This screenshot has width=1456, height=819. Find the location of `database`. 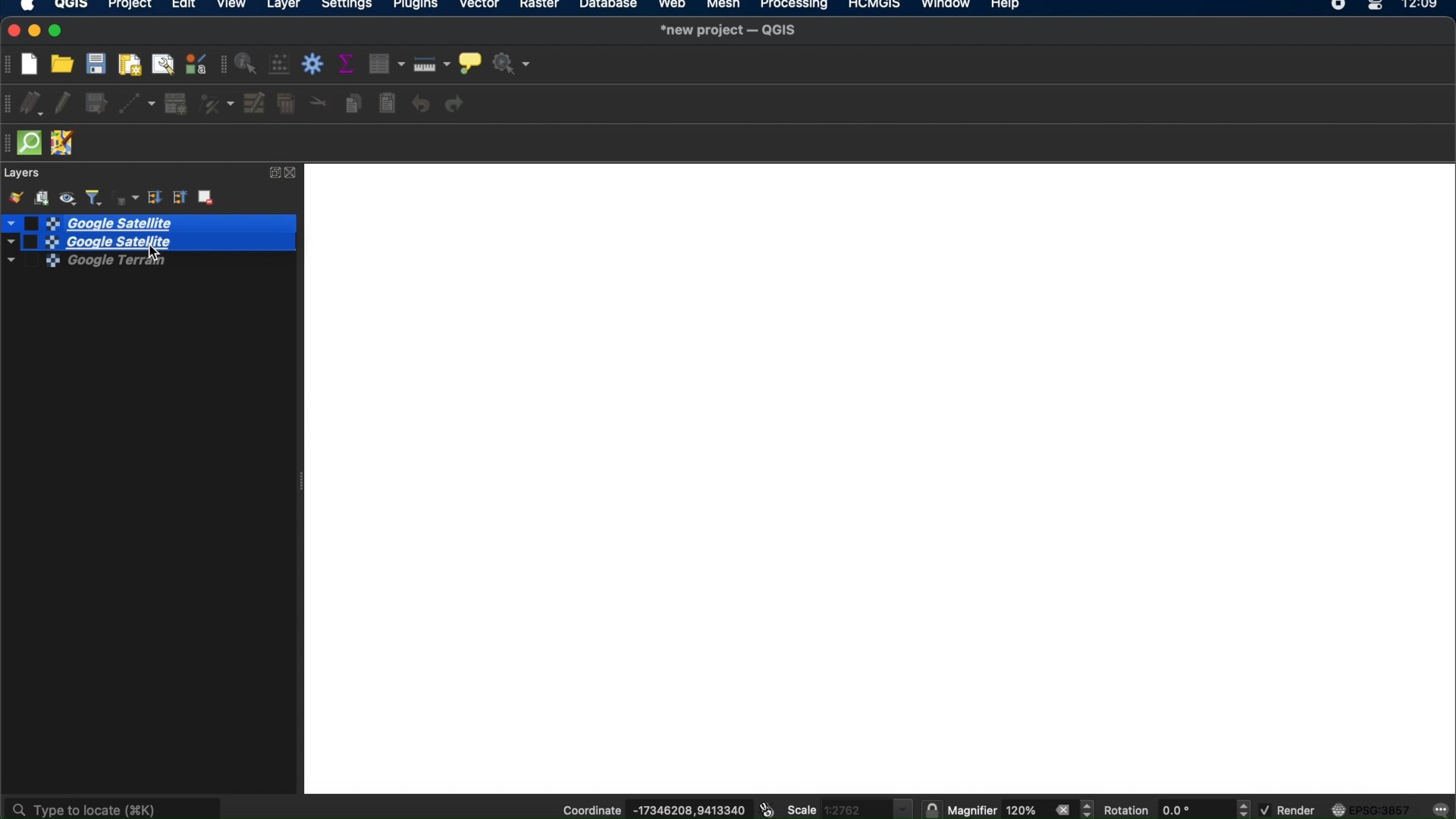

database is located at coordinates (609, 6).